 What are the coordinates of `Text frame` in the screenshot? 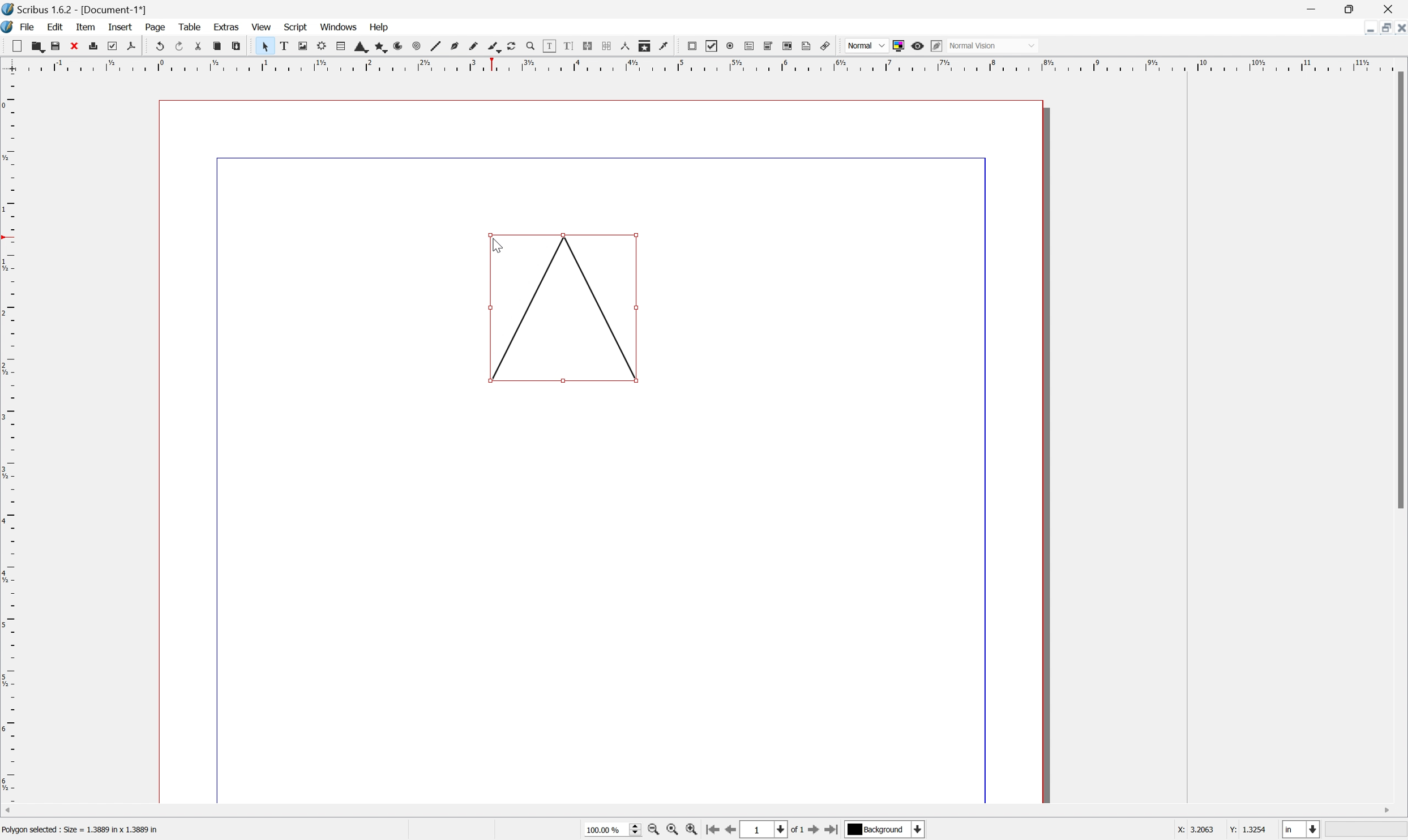 It's located at (286, 46).